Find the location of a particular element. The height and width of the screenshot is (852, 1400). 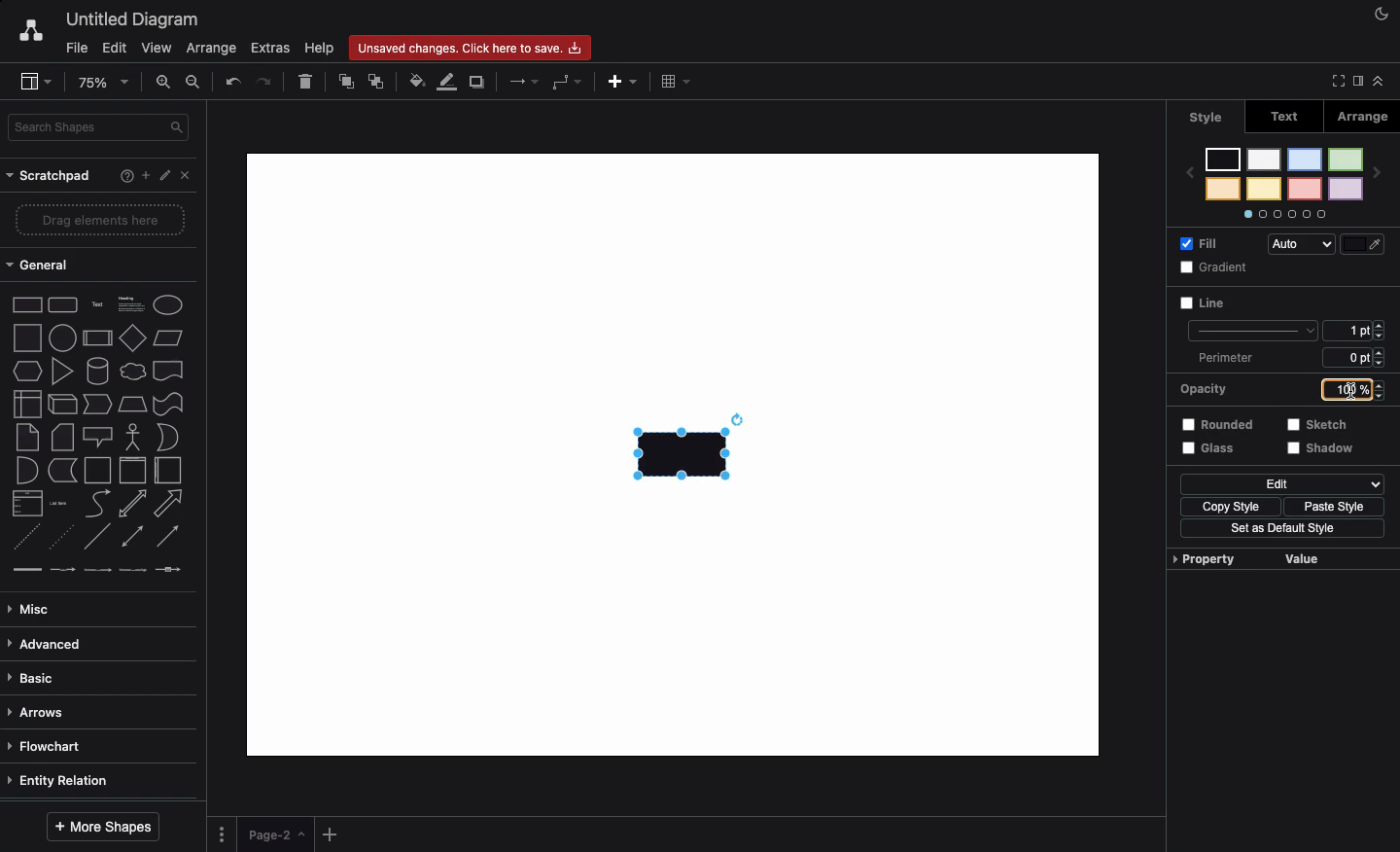

card is located at coordinates (60, 436).